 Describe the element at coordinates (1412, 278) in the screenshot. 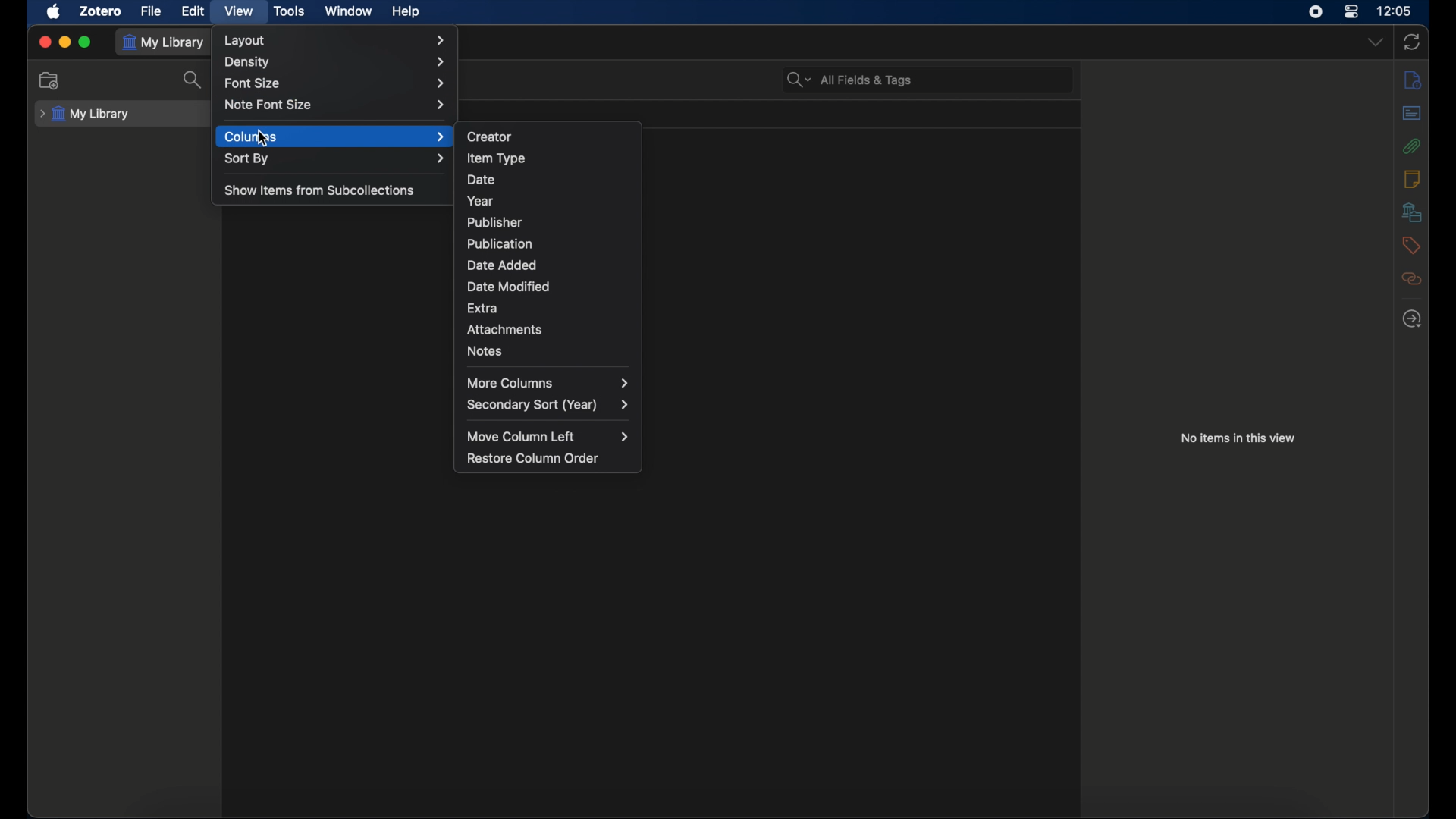

I see `related` at that location.